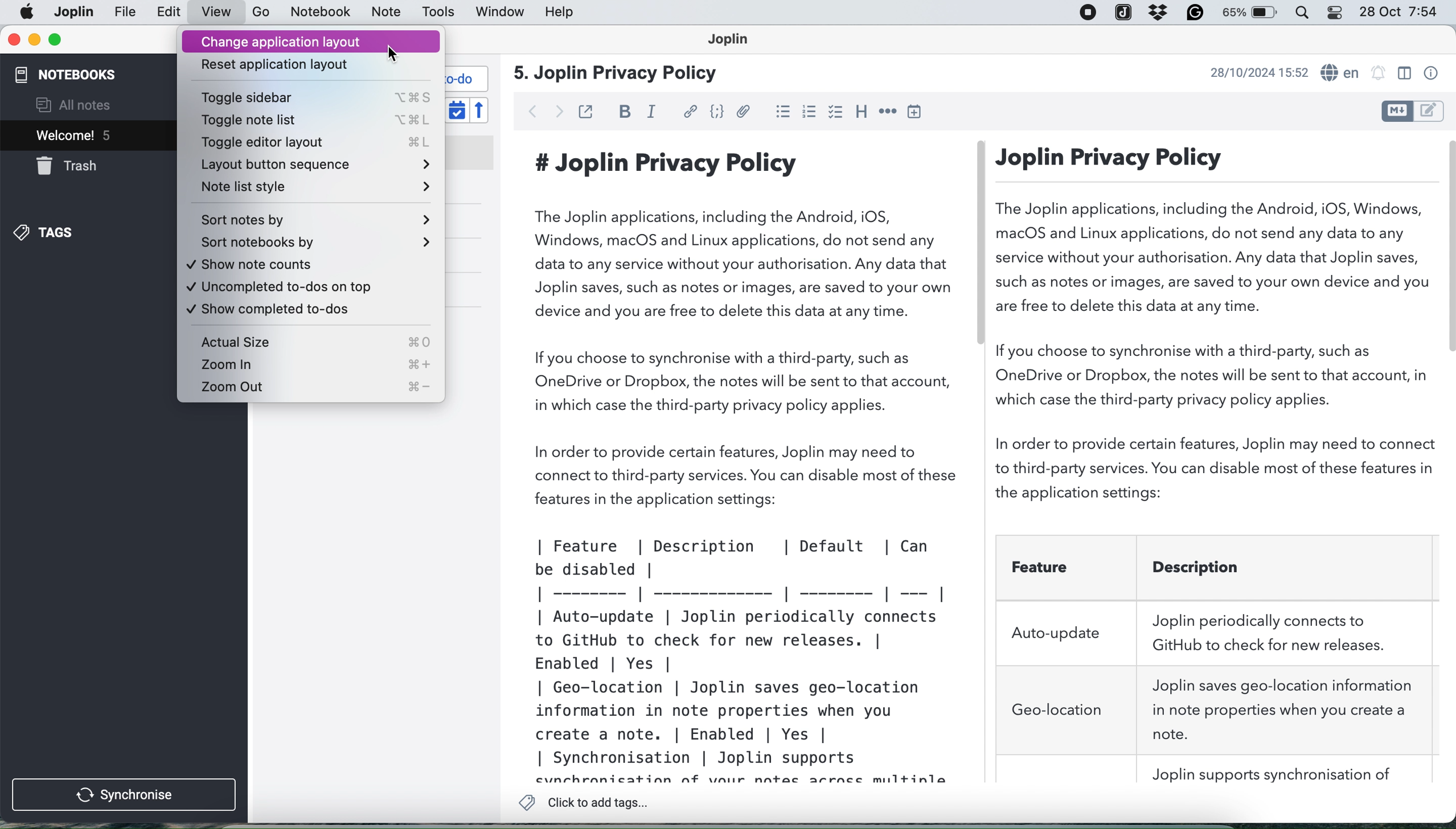  What do you see at coordinates (1398, 13) in the screenshot?
I see `28 Oct 7:54` at bounding box center [1398, 13].